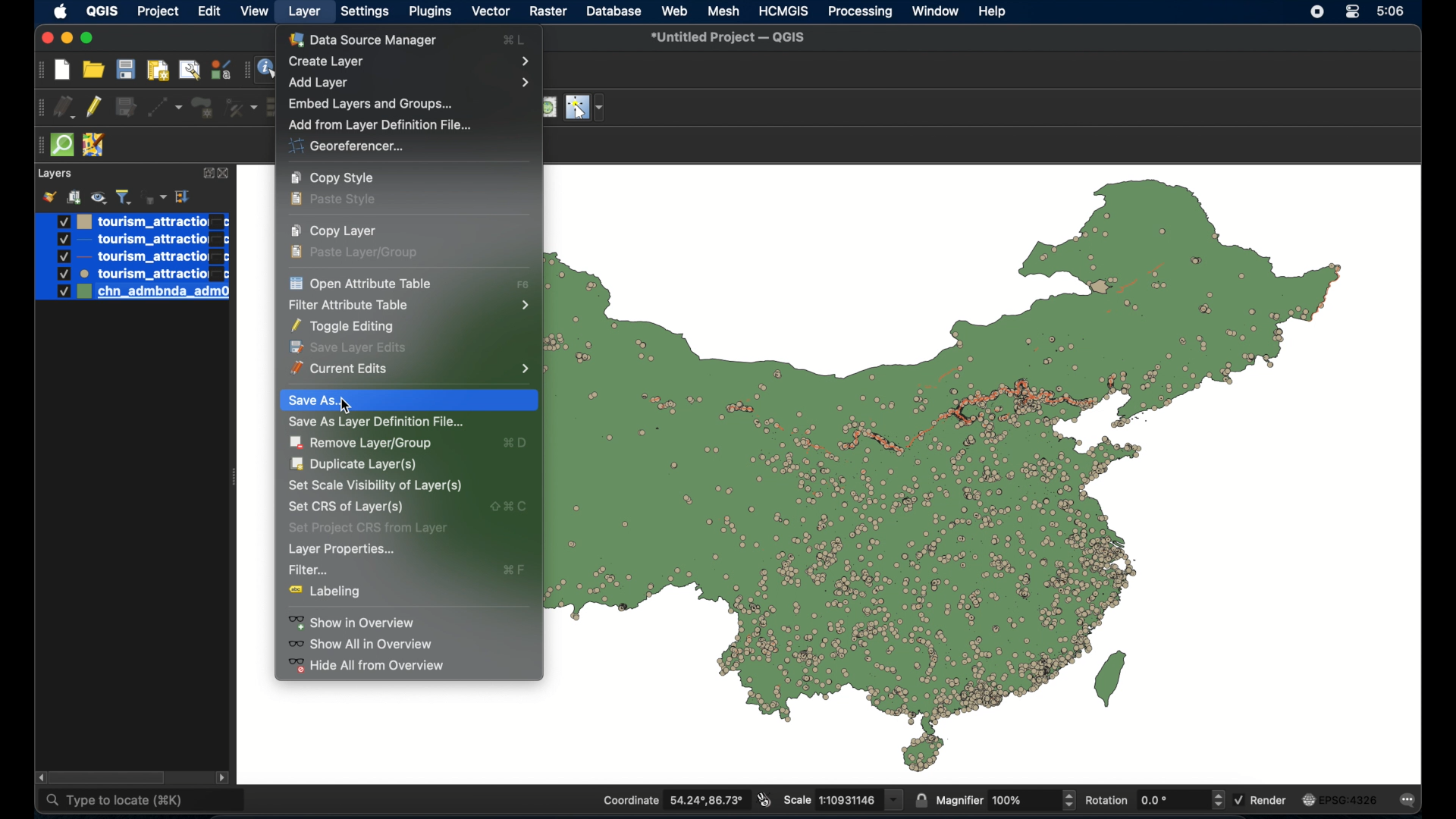  What do you see at coordinates (158, 69) in the screenshot?
I see `print layout` at bounding box center [158, 69].